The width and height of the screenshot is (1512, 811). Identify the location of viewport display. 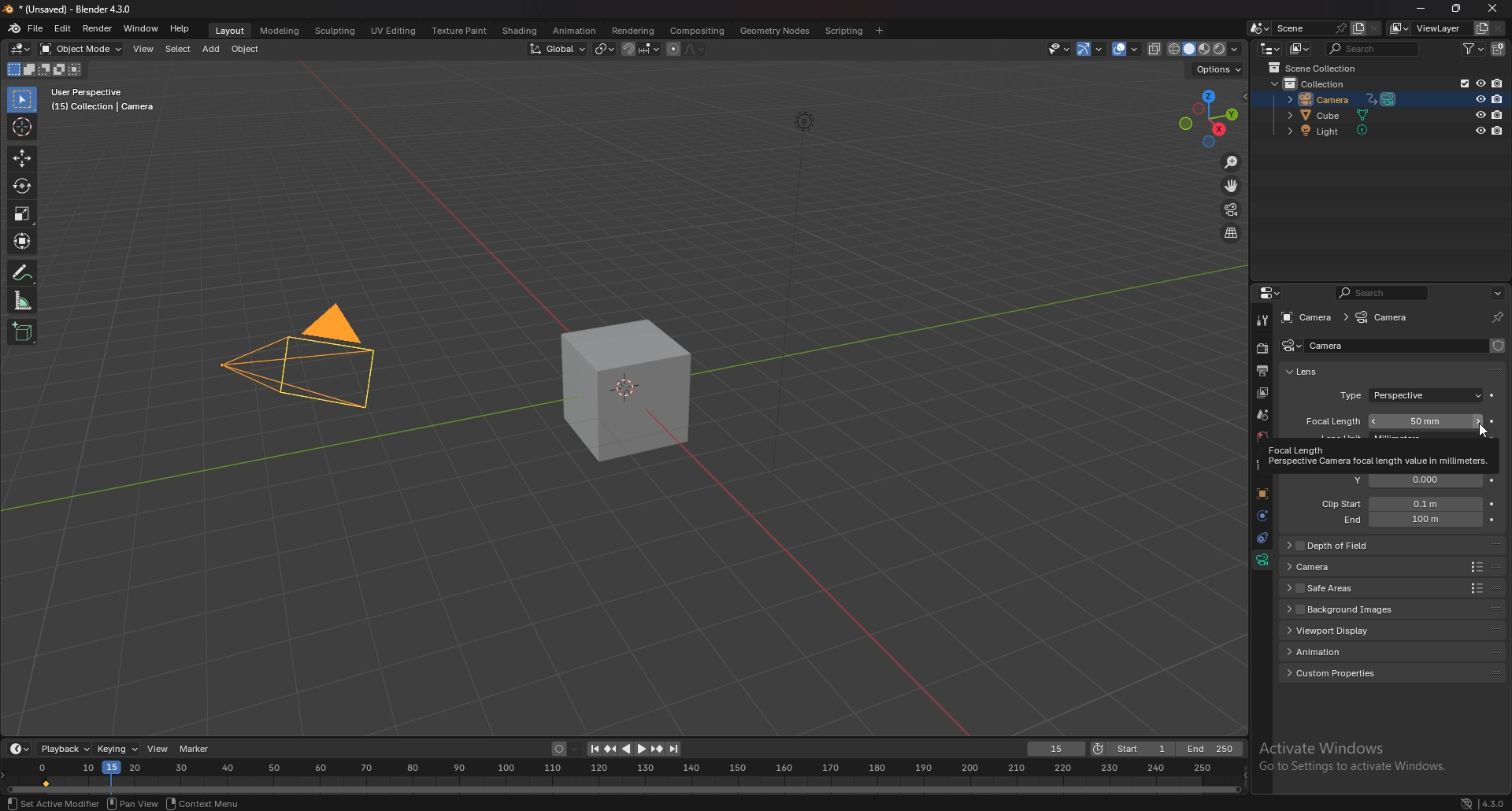
(1356, 630).